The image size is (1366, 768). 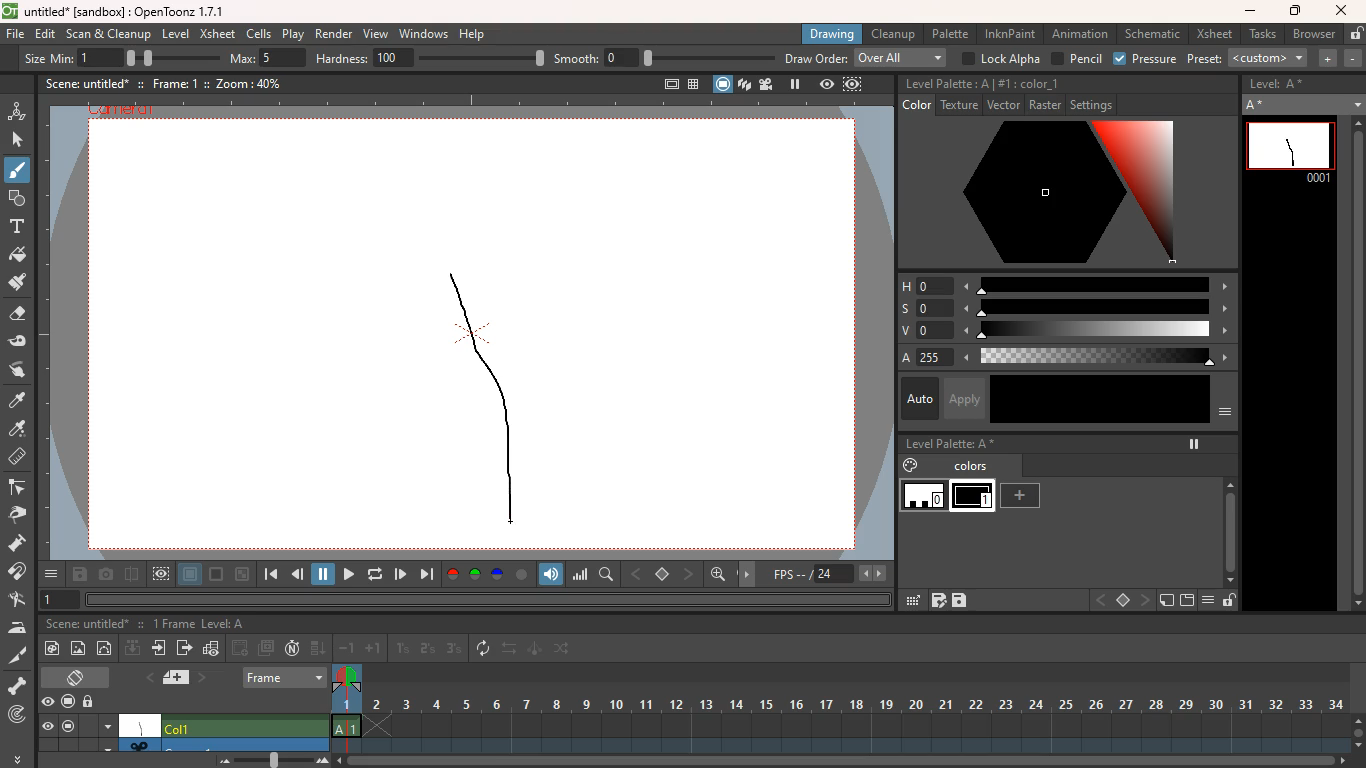 What do you see at coordinates (225, 744) in the screenshot?
I see `another scenario` at bounding box center [225, 744].